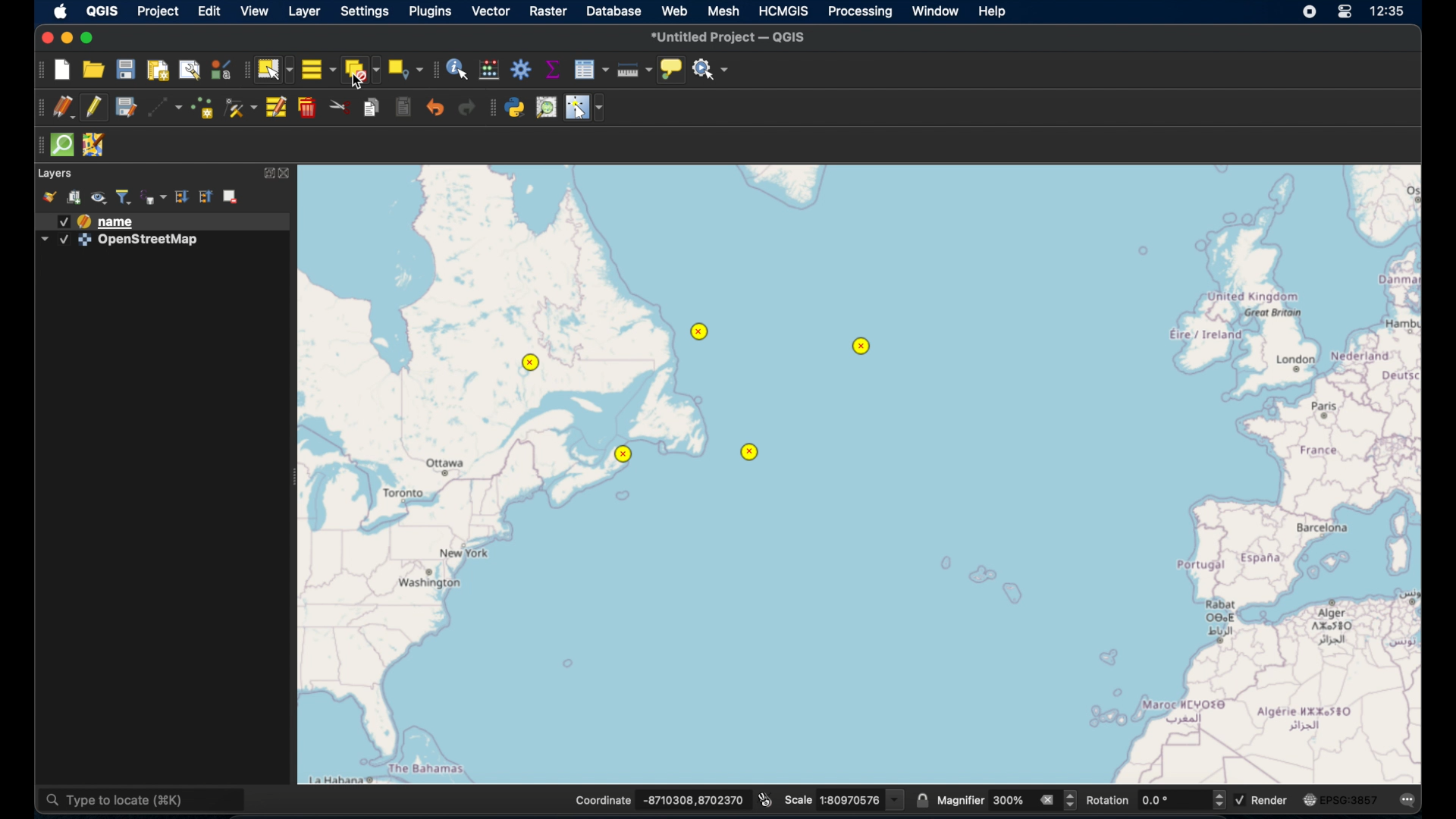  Describe the element at coordinates (436, 110) in the screenshot. I see `undo` at that location.